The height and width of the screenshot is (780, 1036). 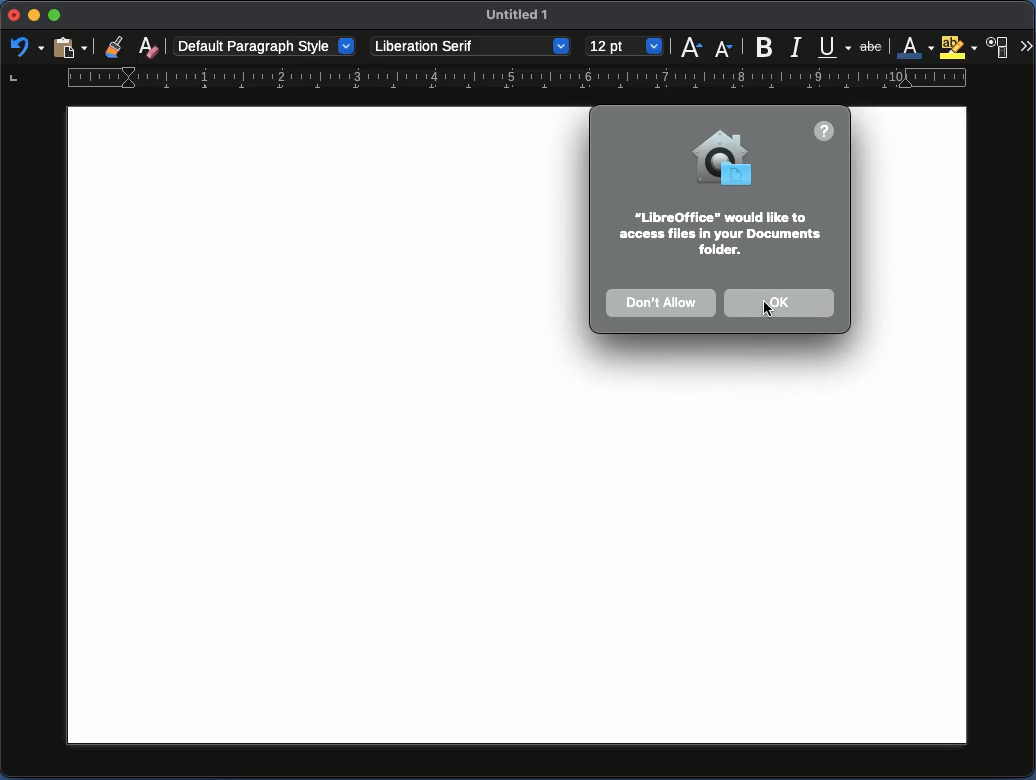 I want to click on Don't allow, so click(x=664, y=304).